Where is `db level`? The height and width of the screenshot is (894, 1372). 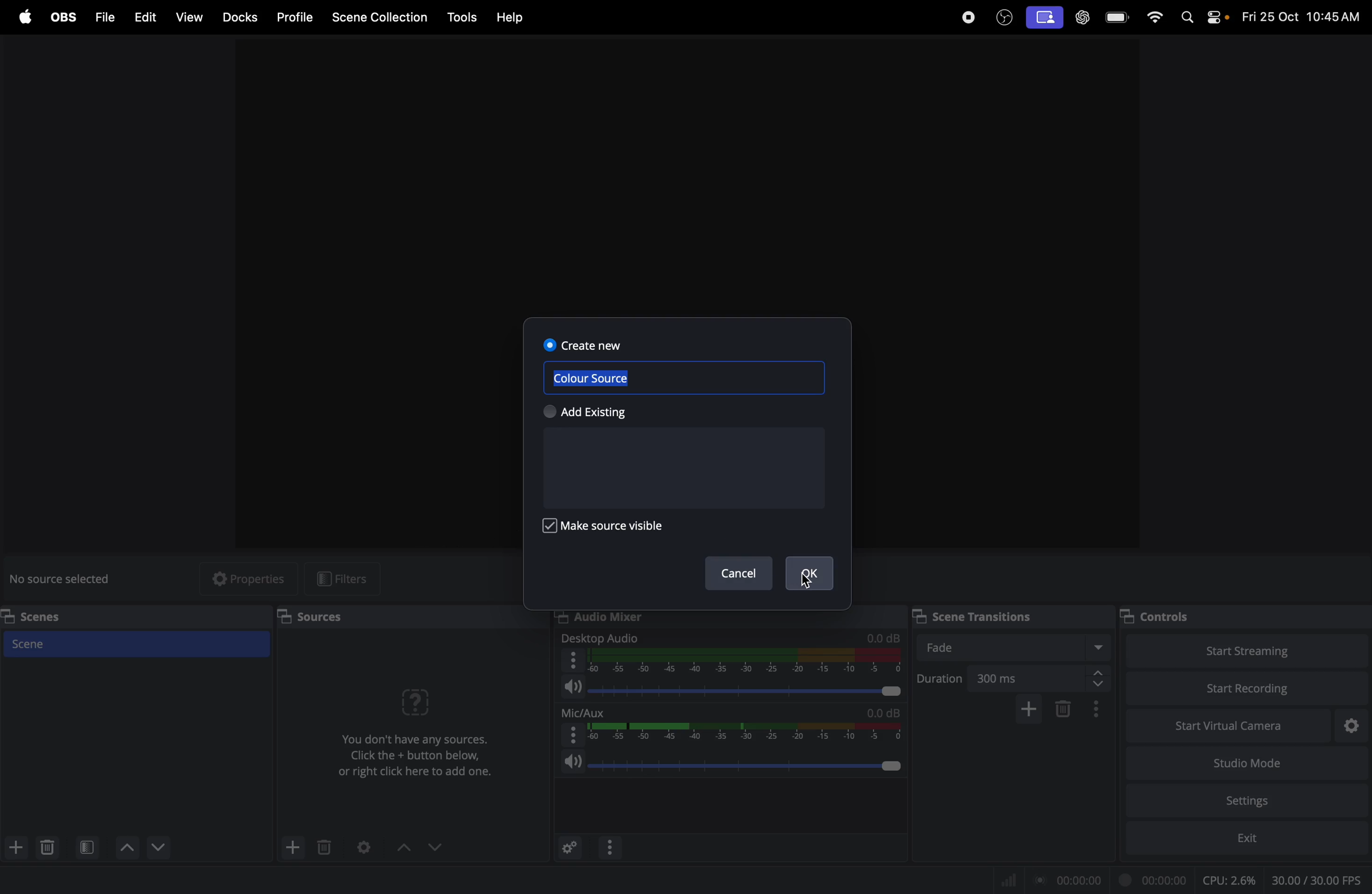 db level is located at coordinates (881, 712).